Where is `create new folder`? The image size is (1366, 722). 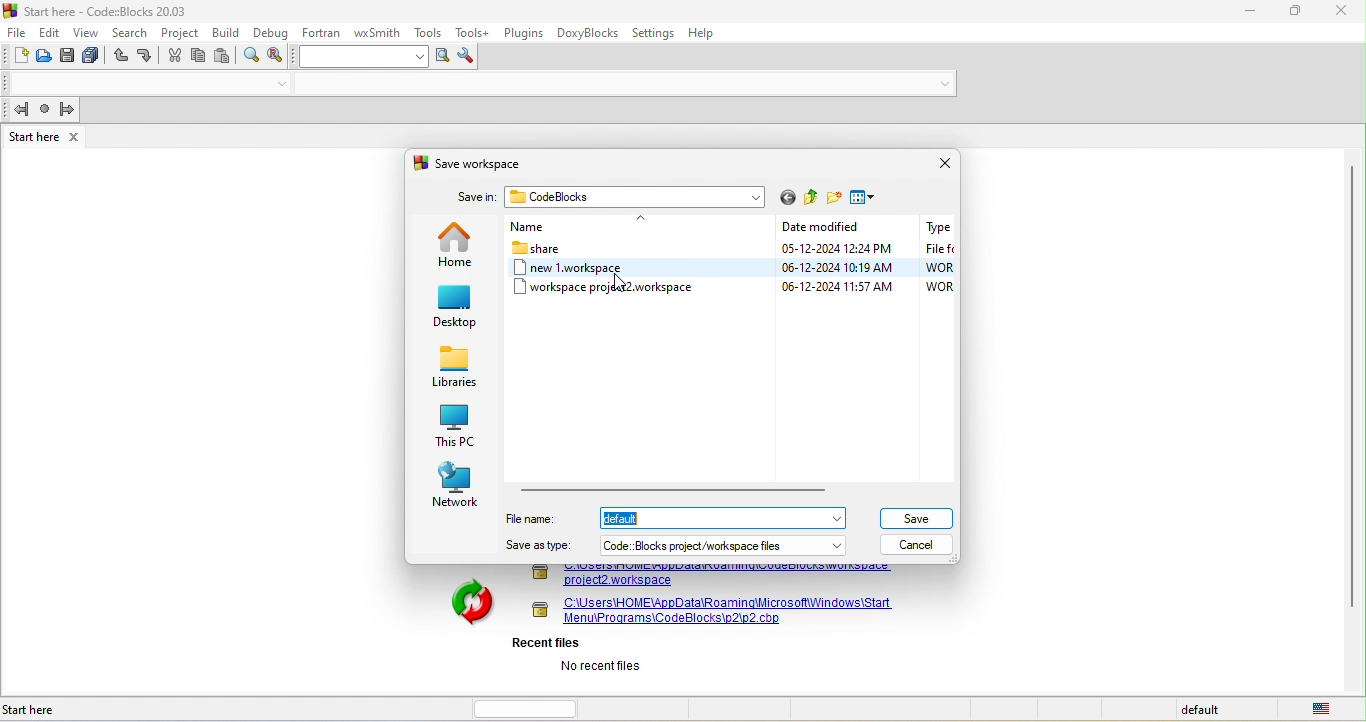
create new folder is located at coordinates (835, 198).